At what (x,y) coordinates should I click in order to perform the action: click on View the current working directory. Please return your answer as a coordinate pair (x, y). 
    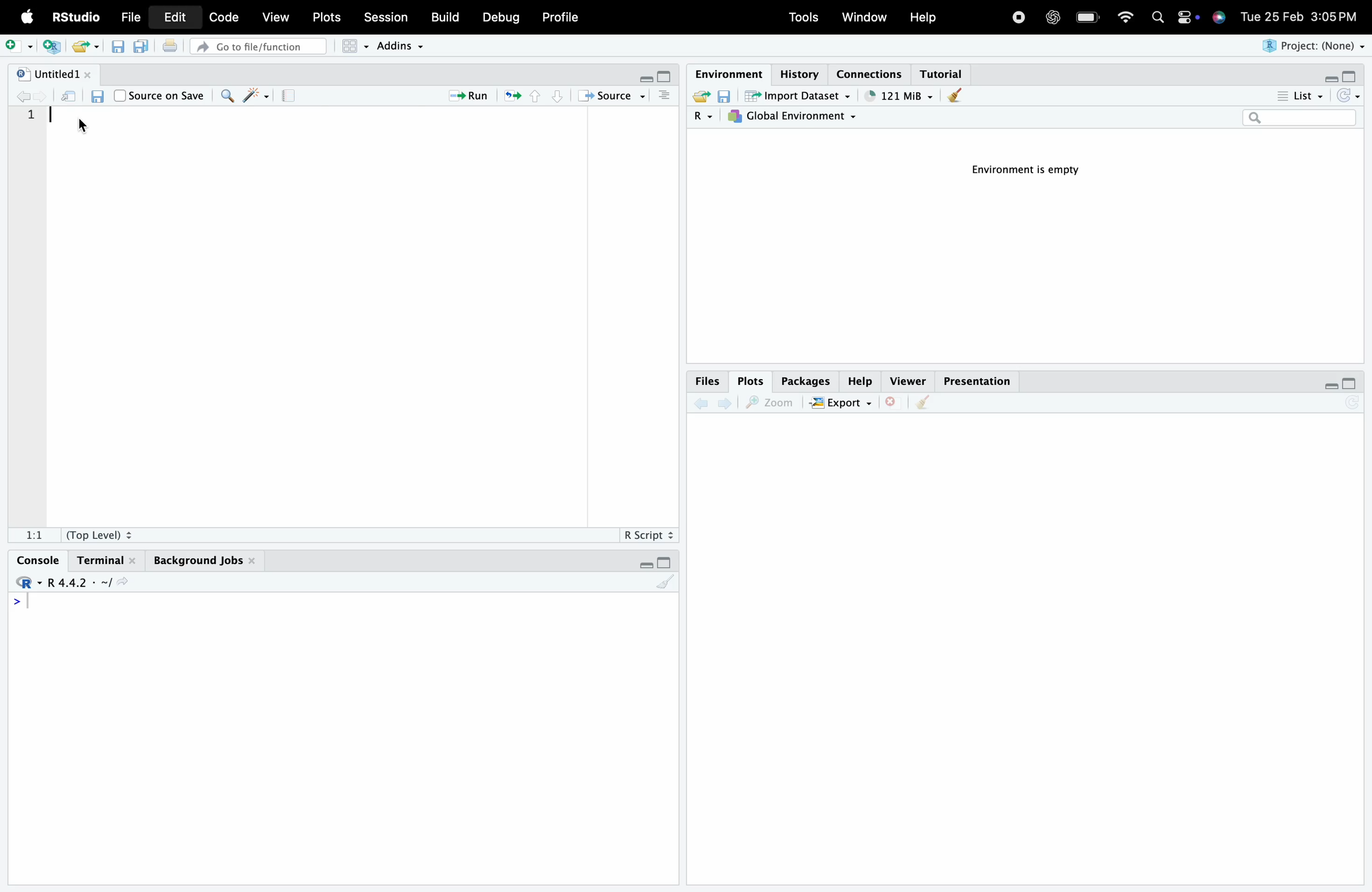
    Looking at the image, I should click on (125, 581).